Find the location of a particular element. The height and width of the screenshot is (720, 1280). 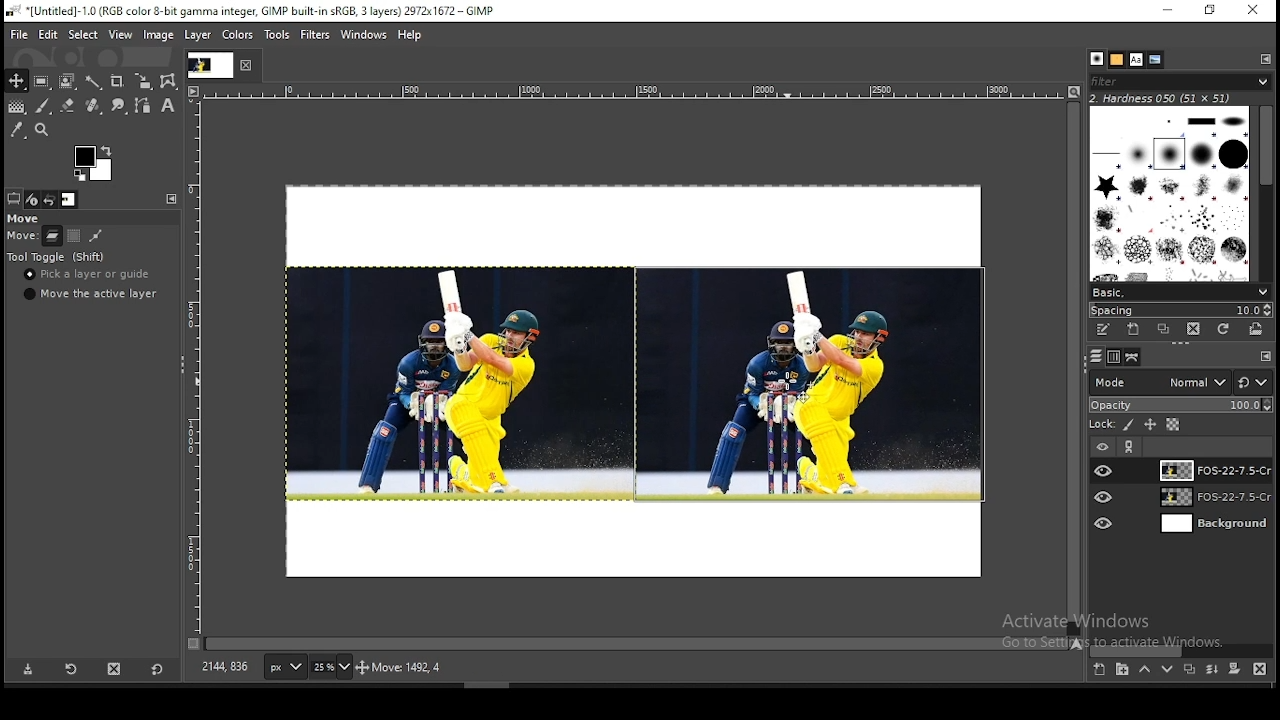

crop tool is located at coordinates (116, 80).